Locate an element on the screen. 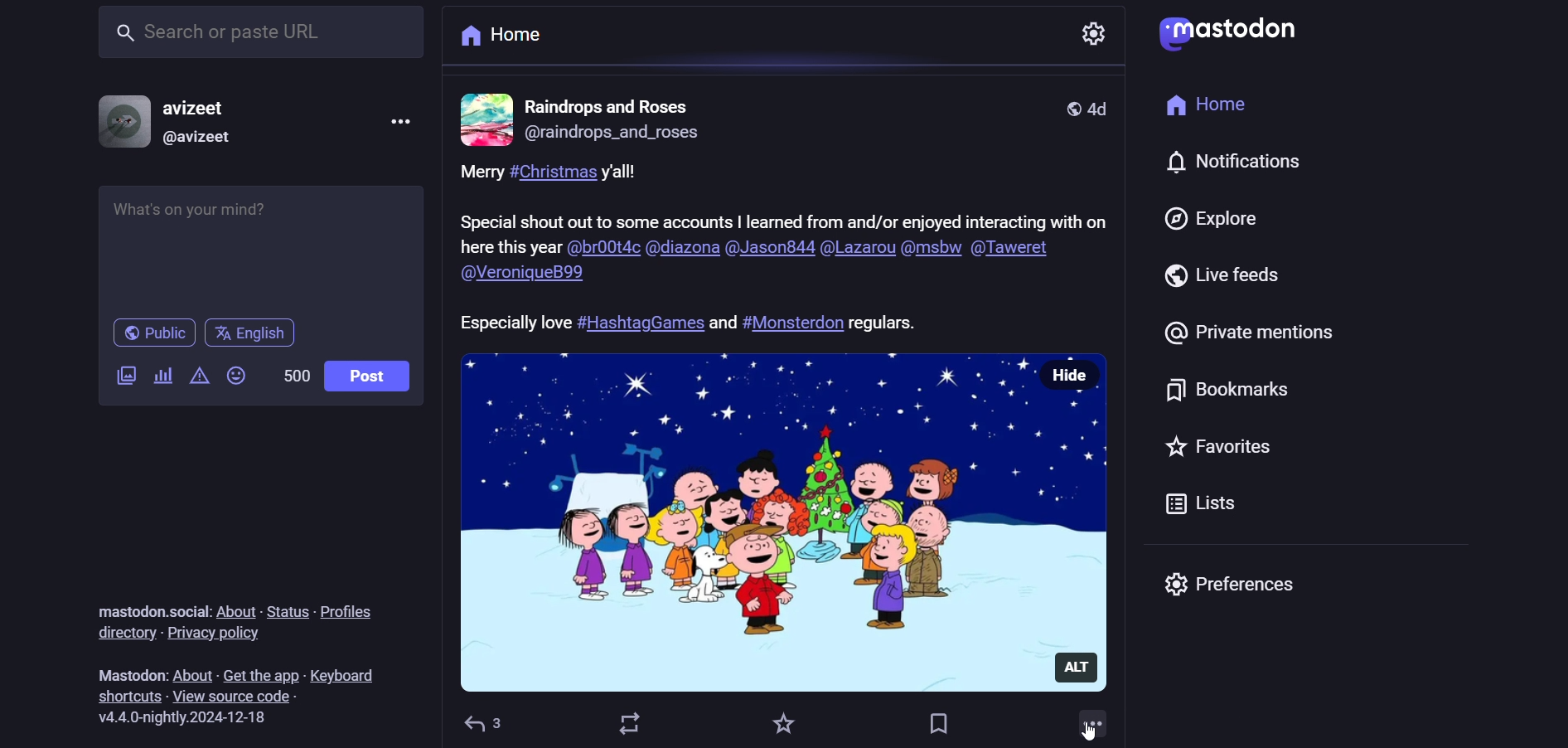  content warning is located at coordinates (201, 375).